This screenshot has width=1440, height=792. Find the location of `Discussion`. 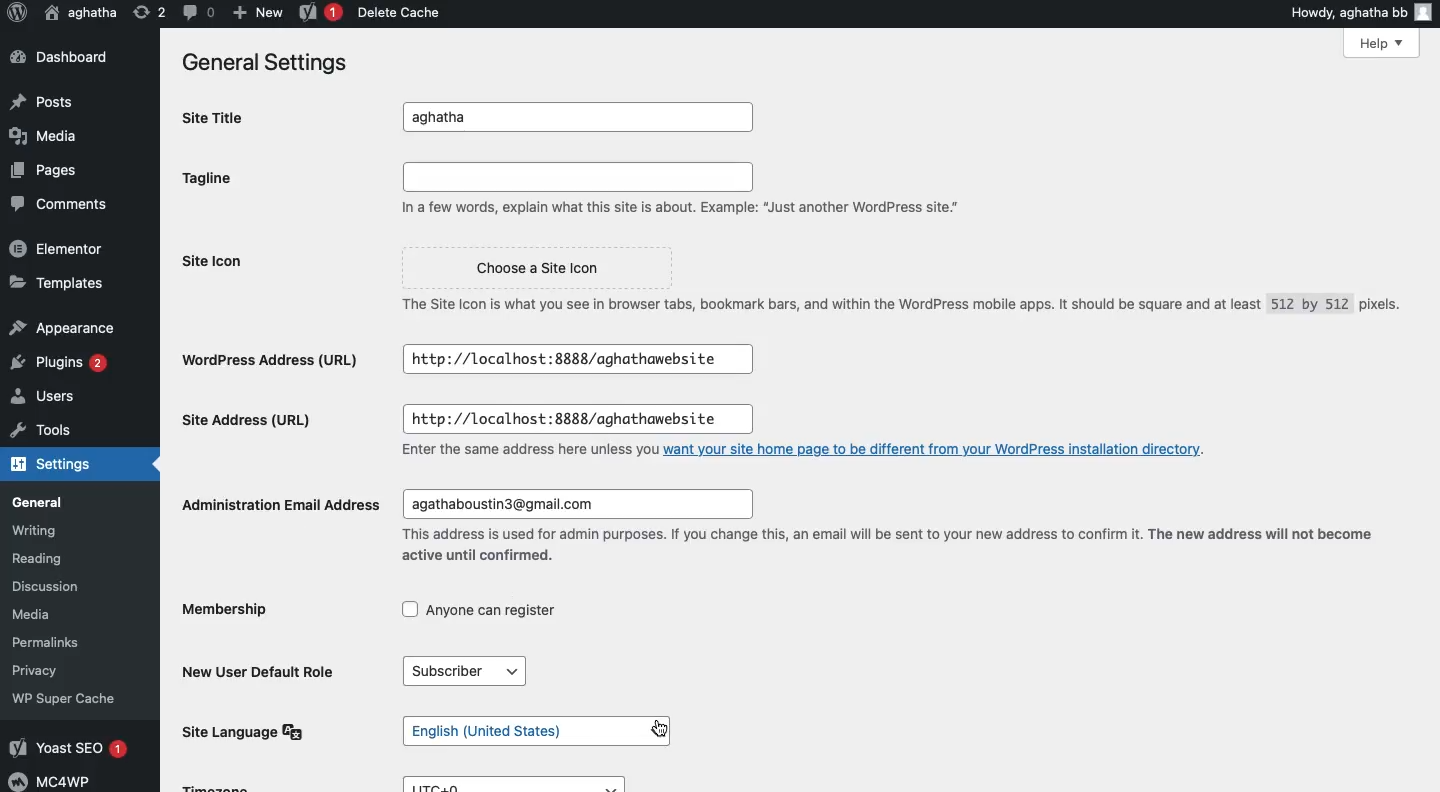

Discussion is located at coordinates (55, 585).